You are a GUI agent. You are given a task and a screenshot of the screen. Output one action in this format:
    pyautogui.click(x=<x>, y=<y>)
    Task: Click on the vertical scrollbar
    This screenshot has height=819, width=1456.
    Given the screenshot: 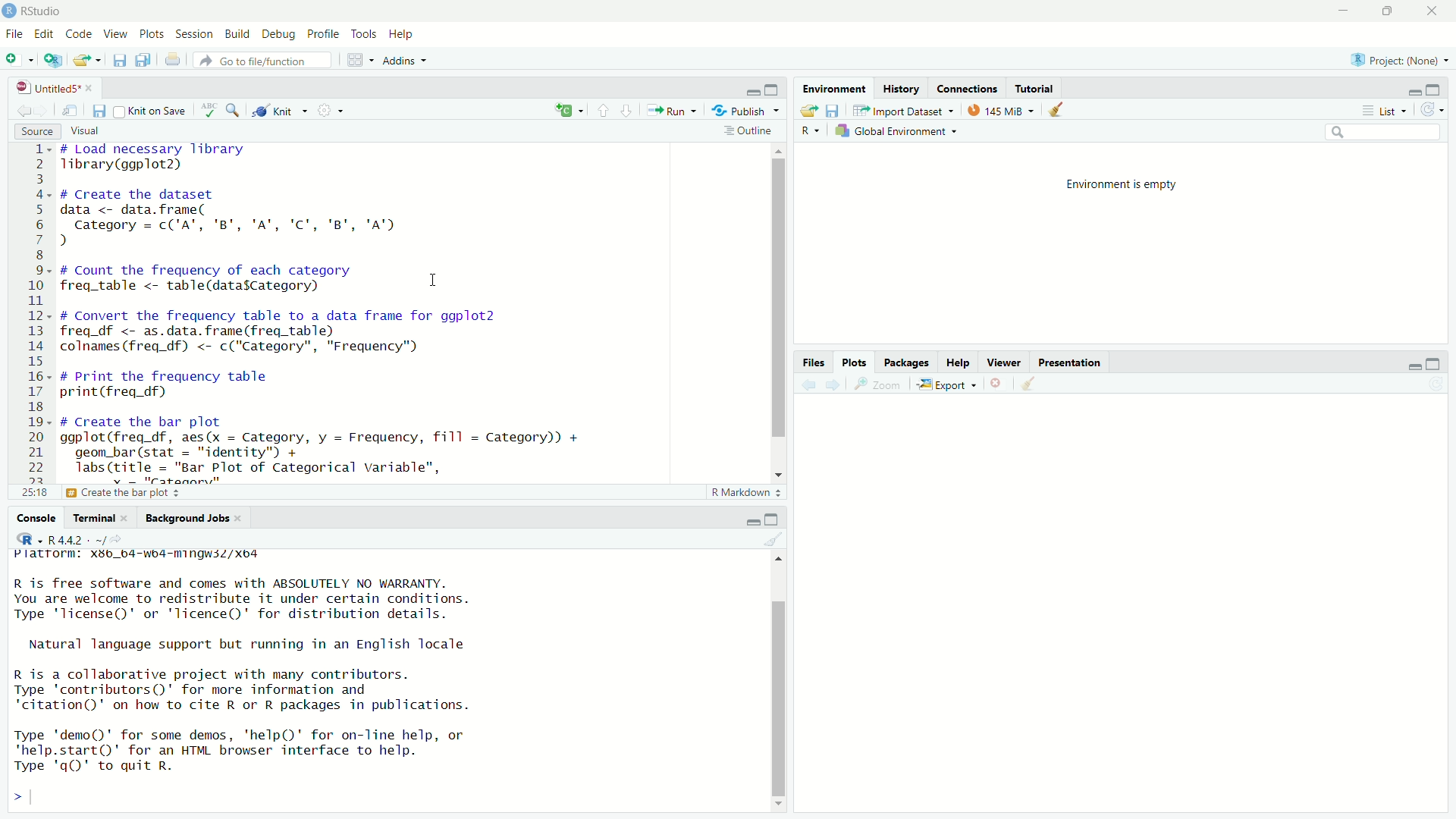 What is the action you would take?
    pyautogui.click(x=780, y=297)
    